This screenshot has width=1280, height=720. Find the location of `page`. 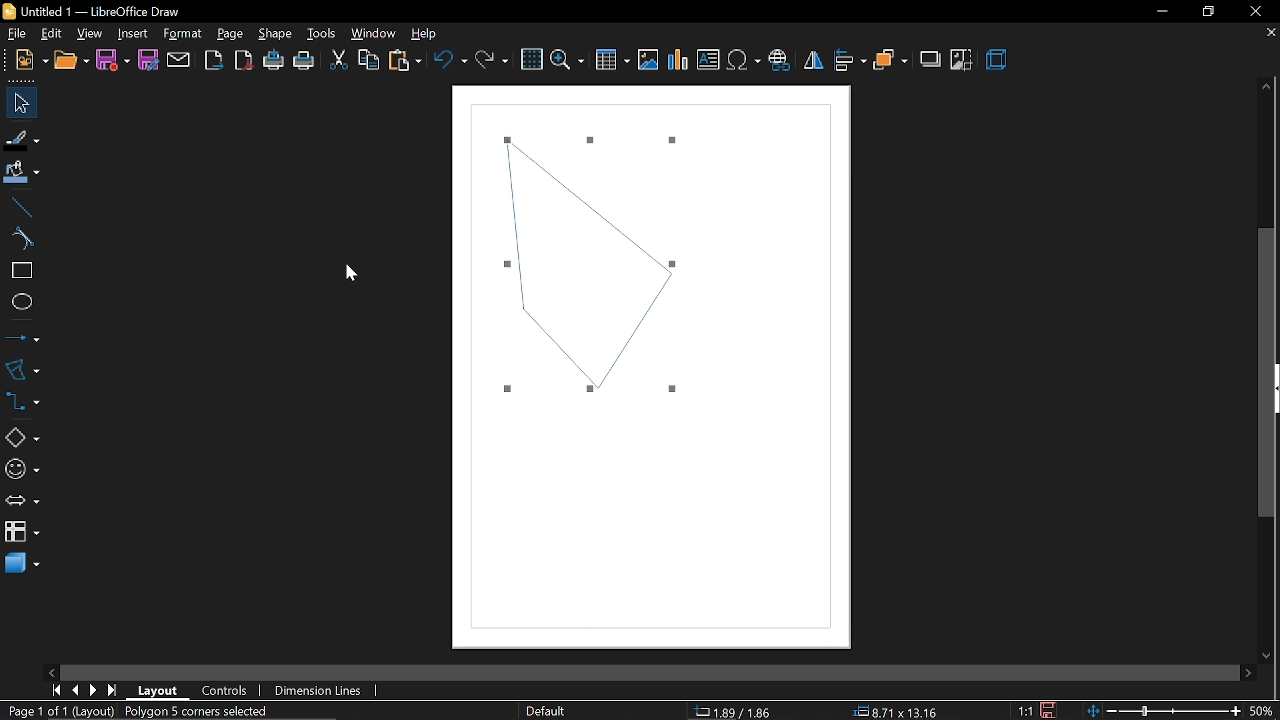

page is located at coordinates (230, 33).